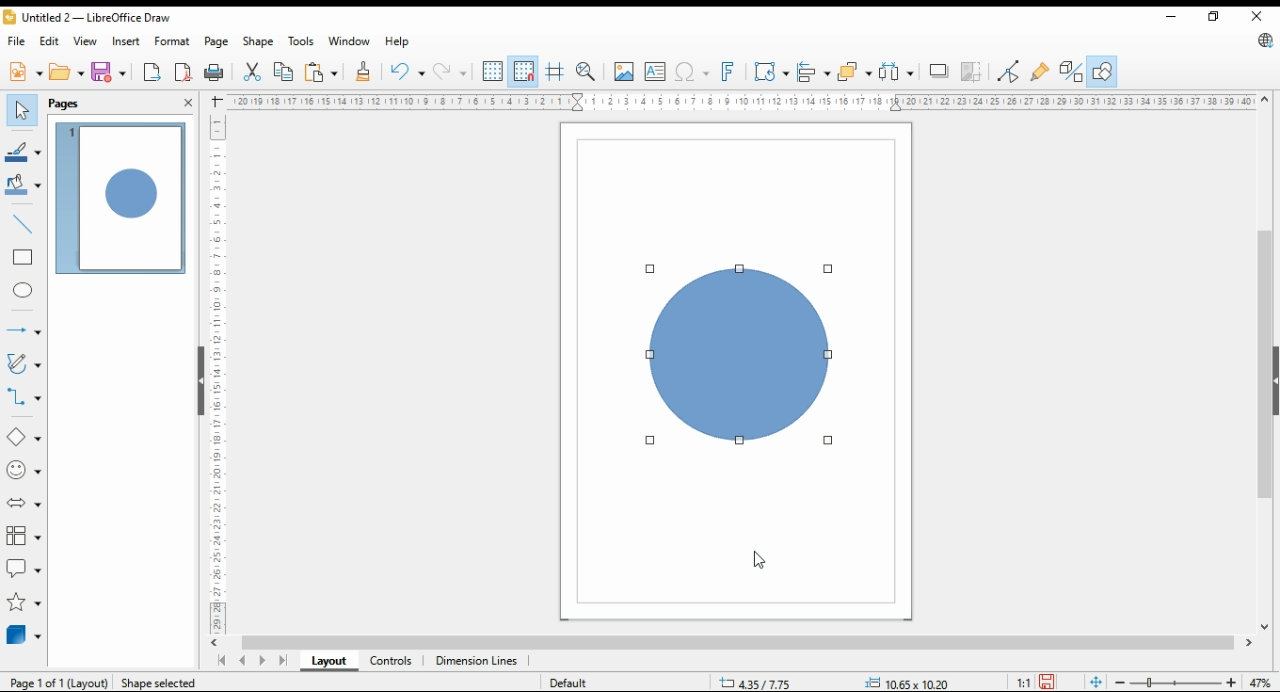 The height and width of the screenshot is (692, 1280). What do you see at coordinates (23, 185) in the screenshot?
I see `fill color` at bounding box center [23, 185].